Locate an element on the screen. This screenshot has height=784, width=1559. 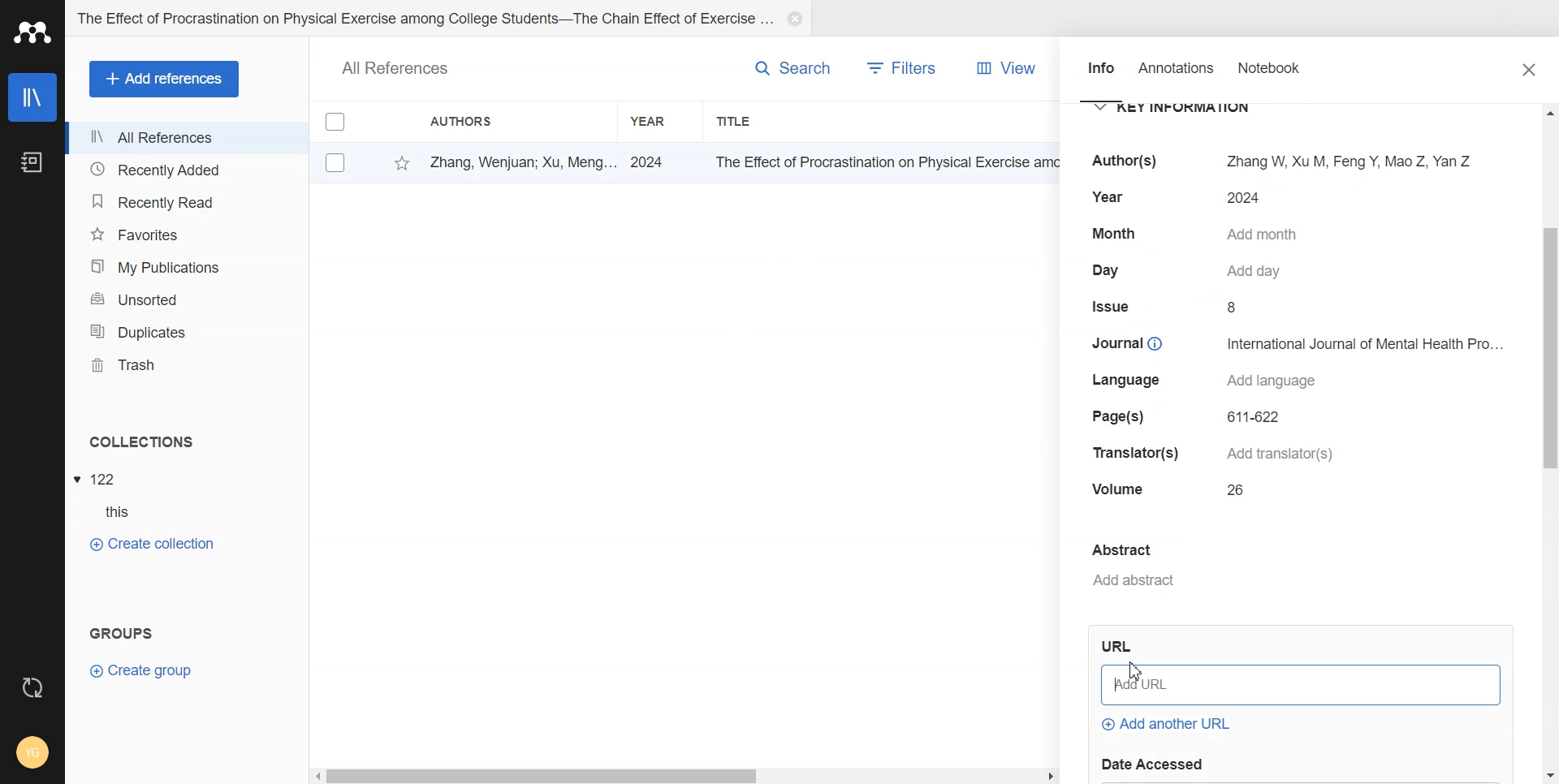
title is located at coordinates (885, 162).